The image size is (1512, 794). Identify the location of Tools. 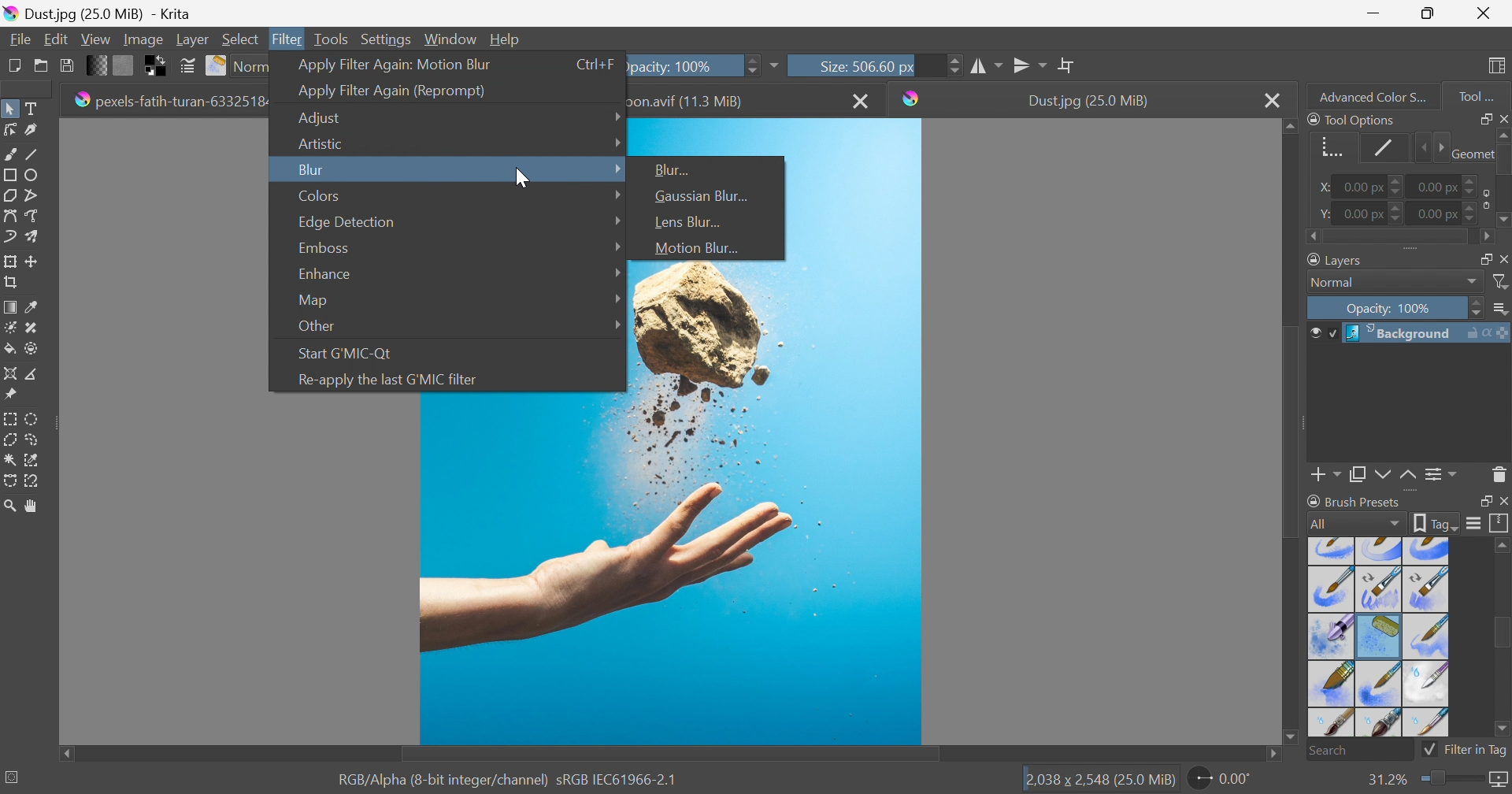
(331, 38).